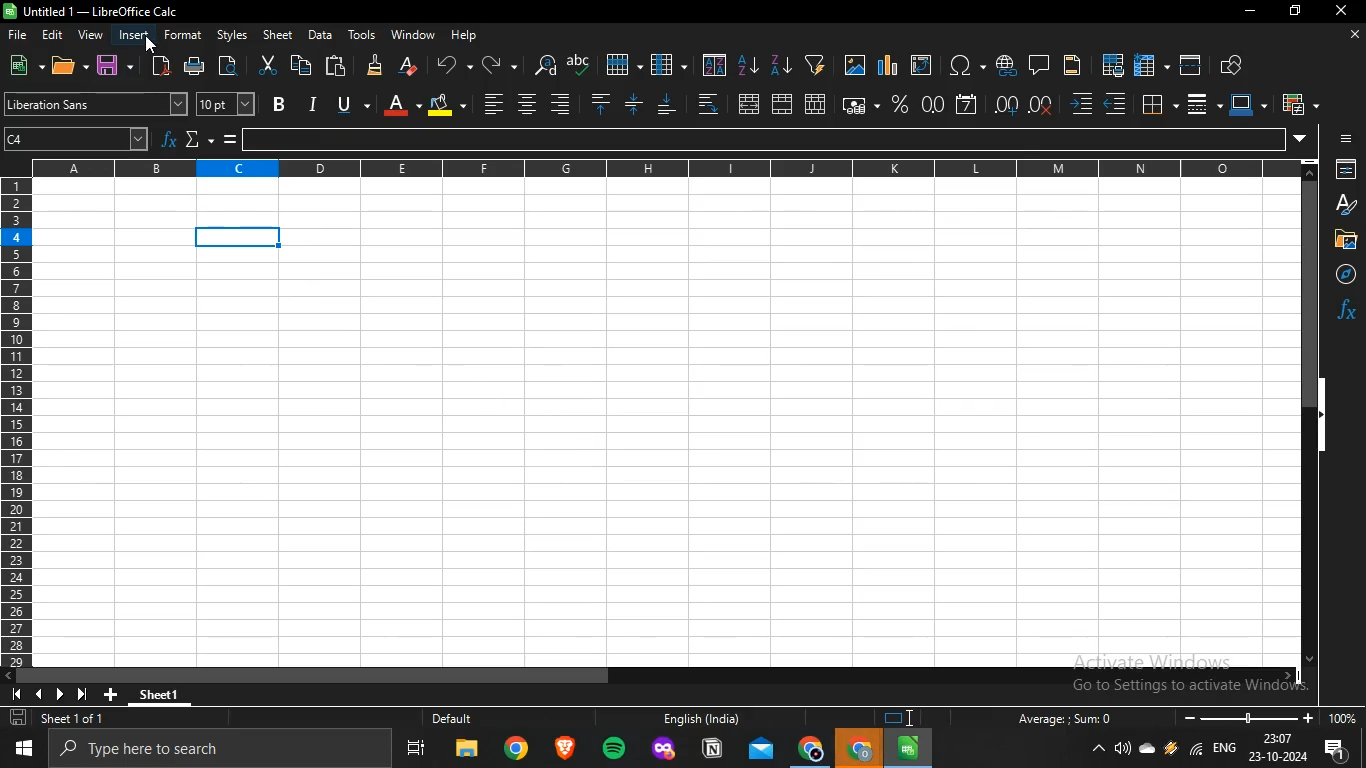  I want to click on align  bottom, so click(669, 105).